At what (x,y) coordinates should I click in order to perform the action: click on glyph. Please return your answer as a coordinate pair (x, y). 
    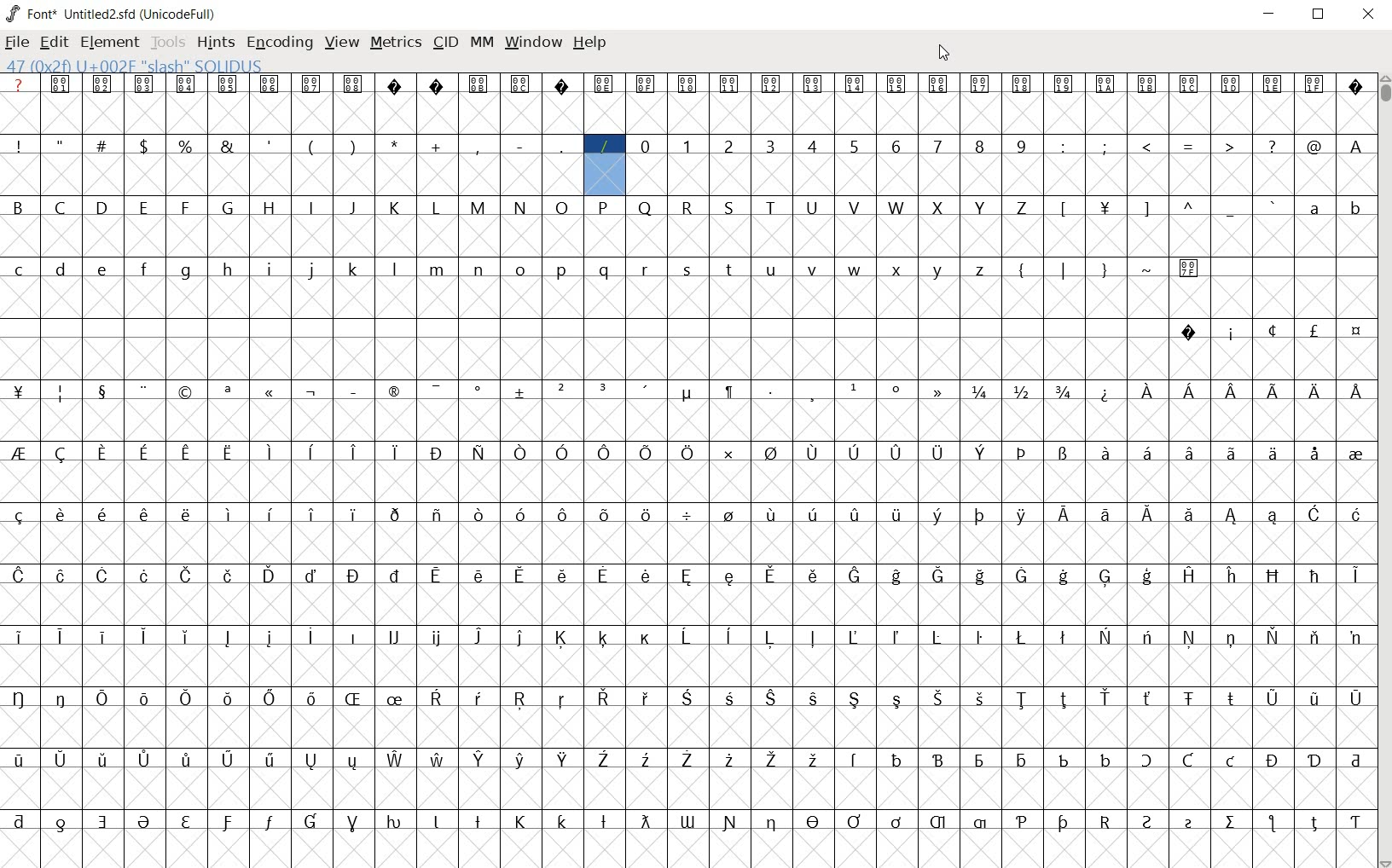
    Looking at the image, I should click on (980, 698).